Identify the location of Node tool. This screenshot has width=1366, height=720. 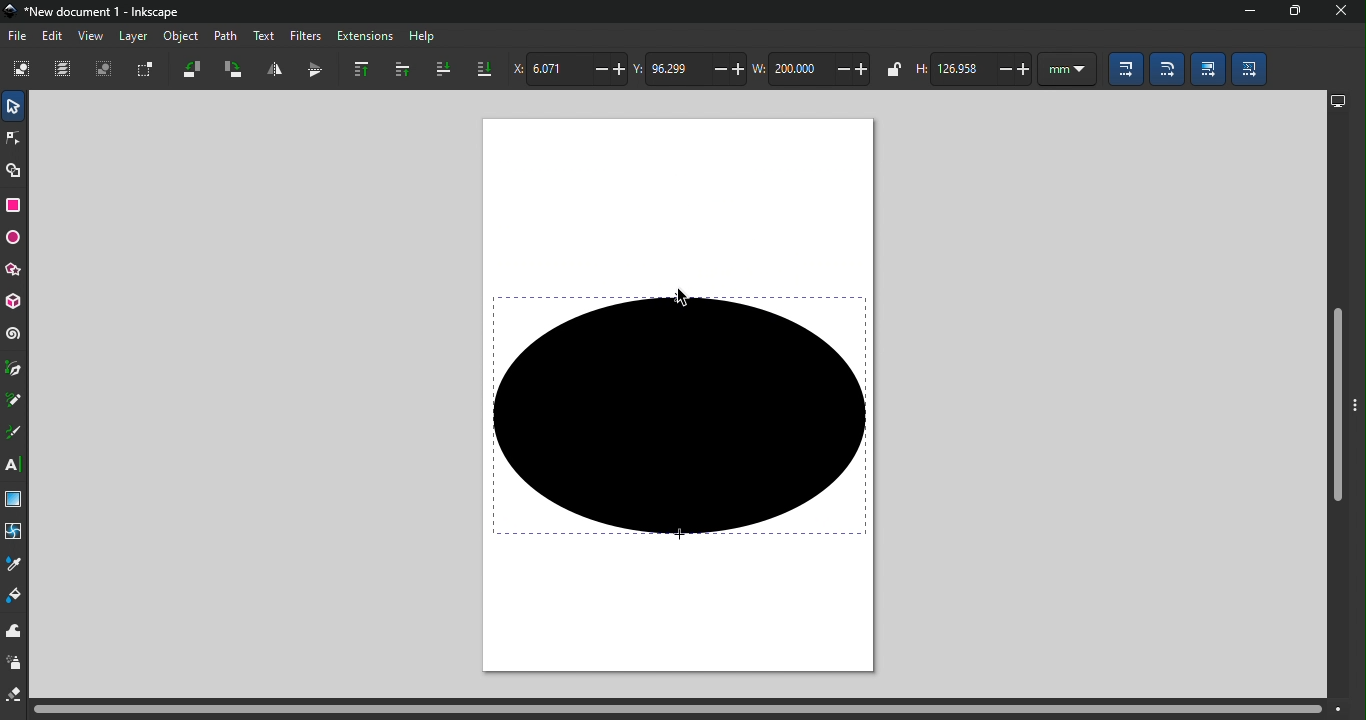
(16, 139).